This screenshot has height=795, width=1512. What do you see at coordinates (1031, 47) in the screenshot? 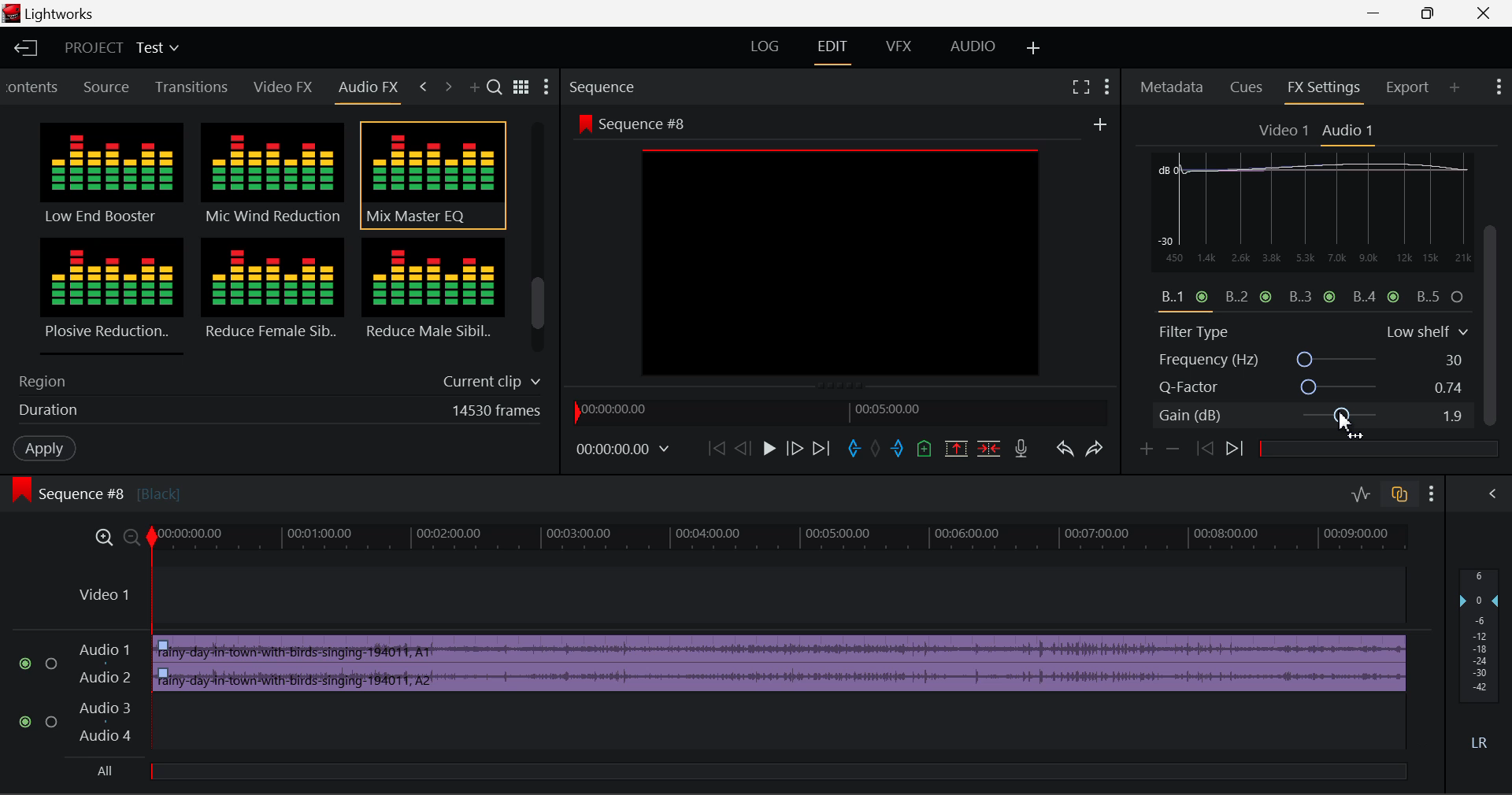
I see `Add Layout` at bounding box center [1031, 47].